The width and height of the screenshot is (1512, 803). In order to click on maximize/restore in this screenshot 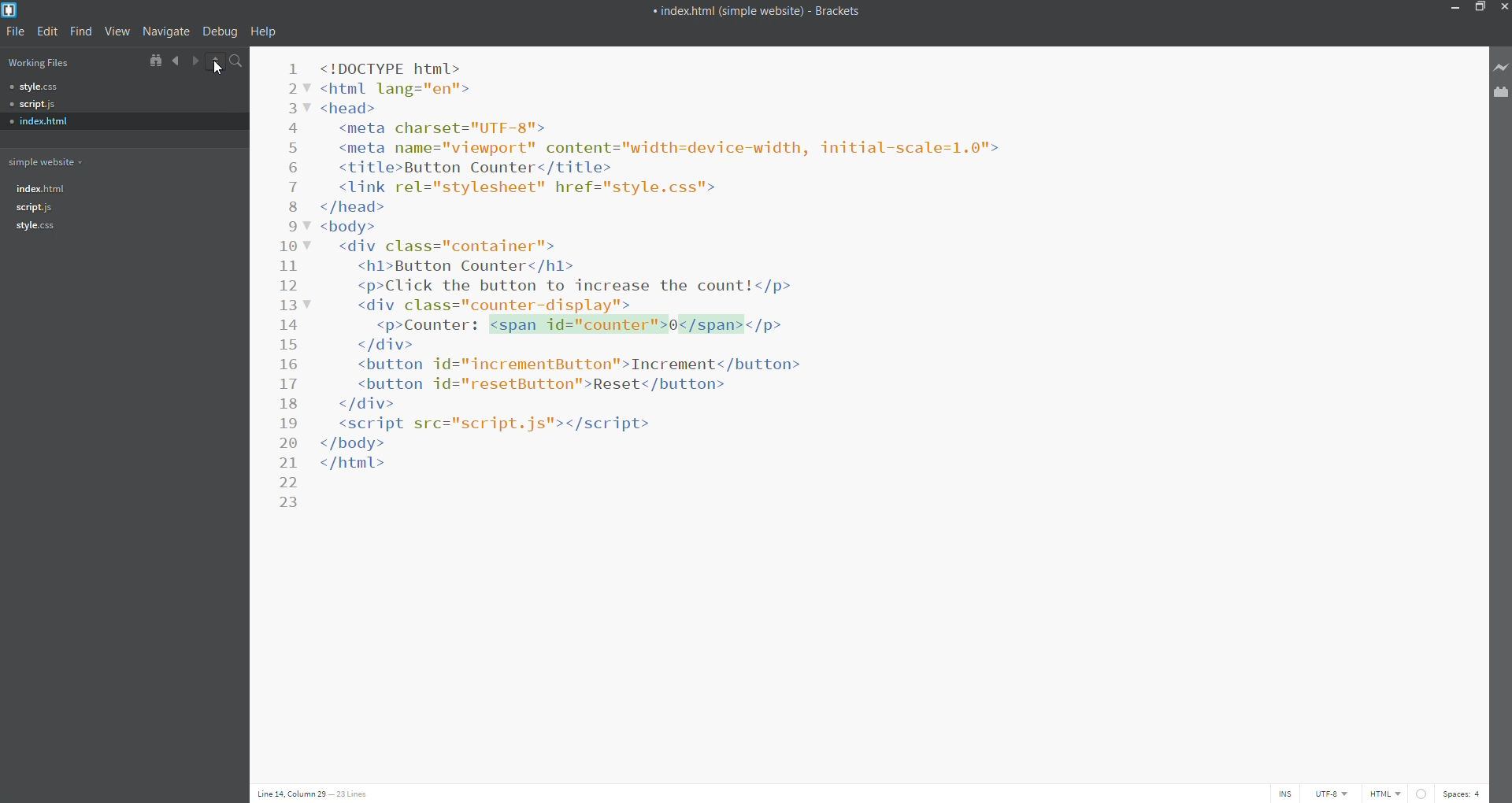, I will do `click(1477, 8)`.